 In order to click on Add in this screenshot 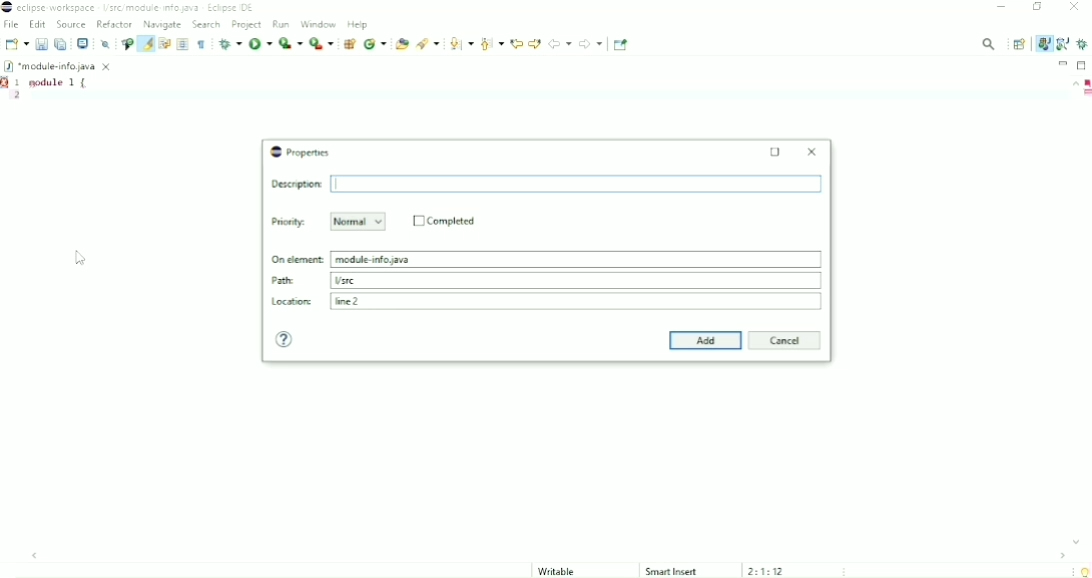, I will do `click(704, 341)`.